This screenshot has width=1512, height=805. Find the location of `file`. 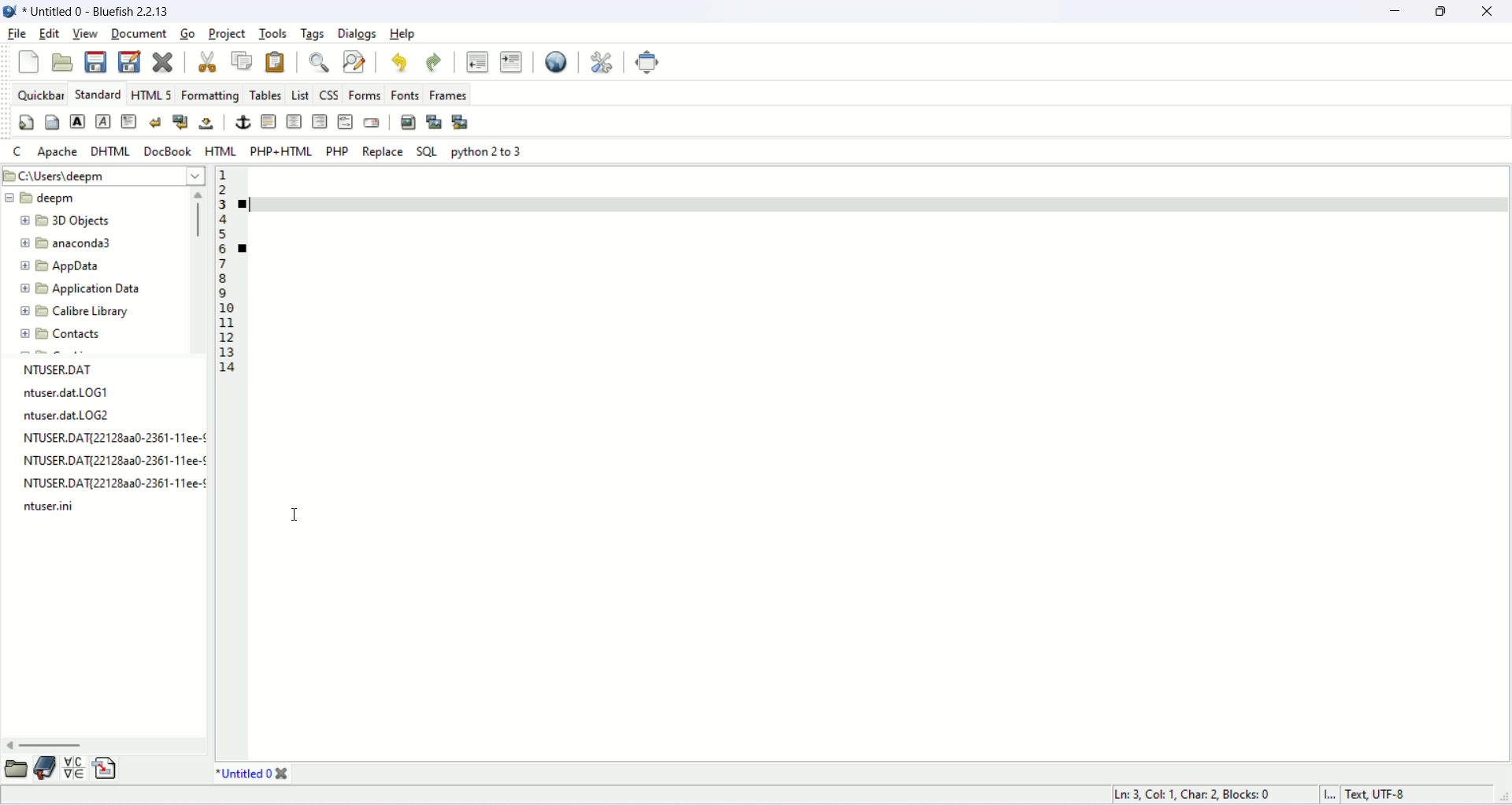

file is located at coordinates (16, 33).